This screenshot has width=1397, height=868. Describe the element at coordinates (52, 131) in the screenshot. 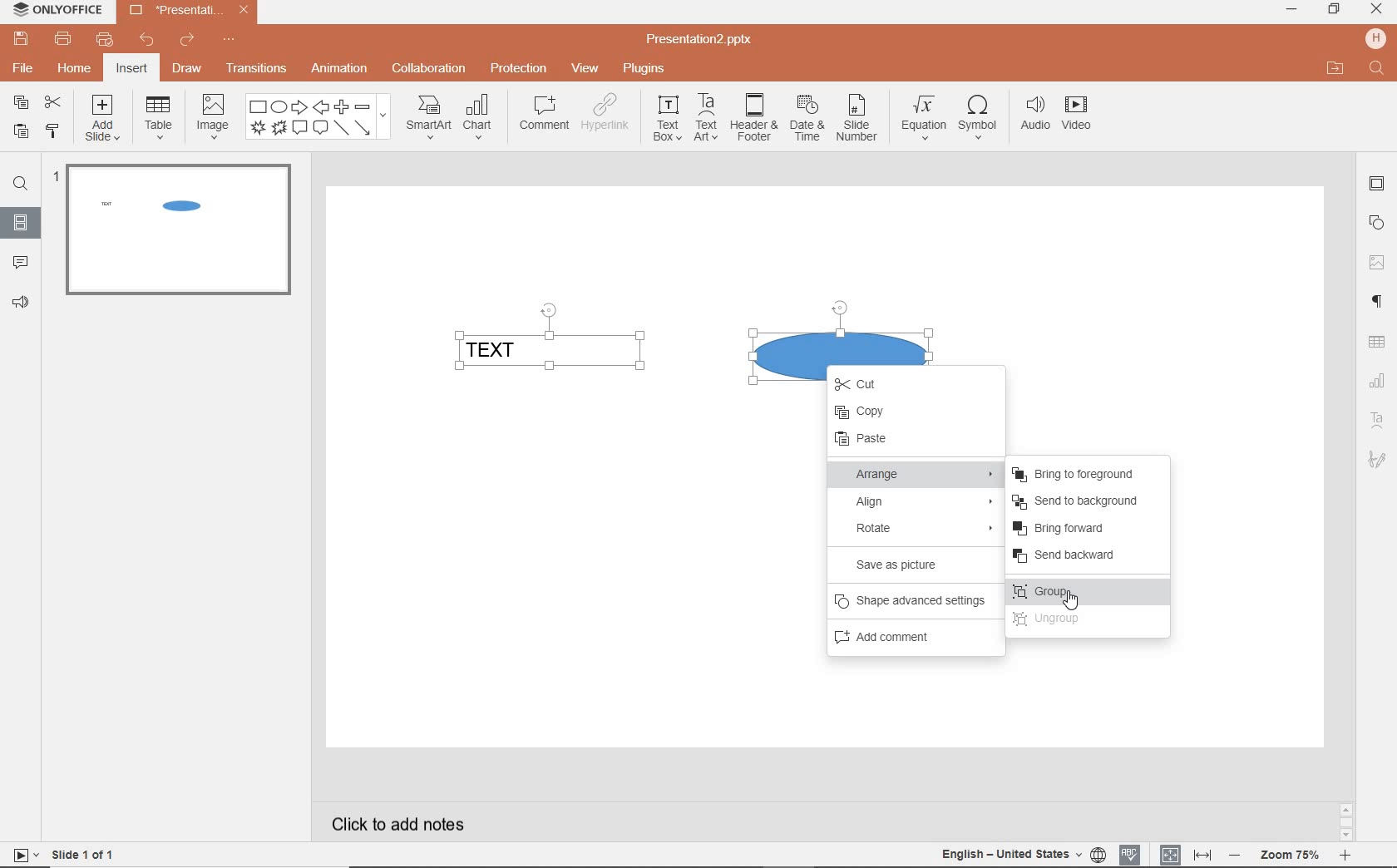

I see `copy style` at that location.